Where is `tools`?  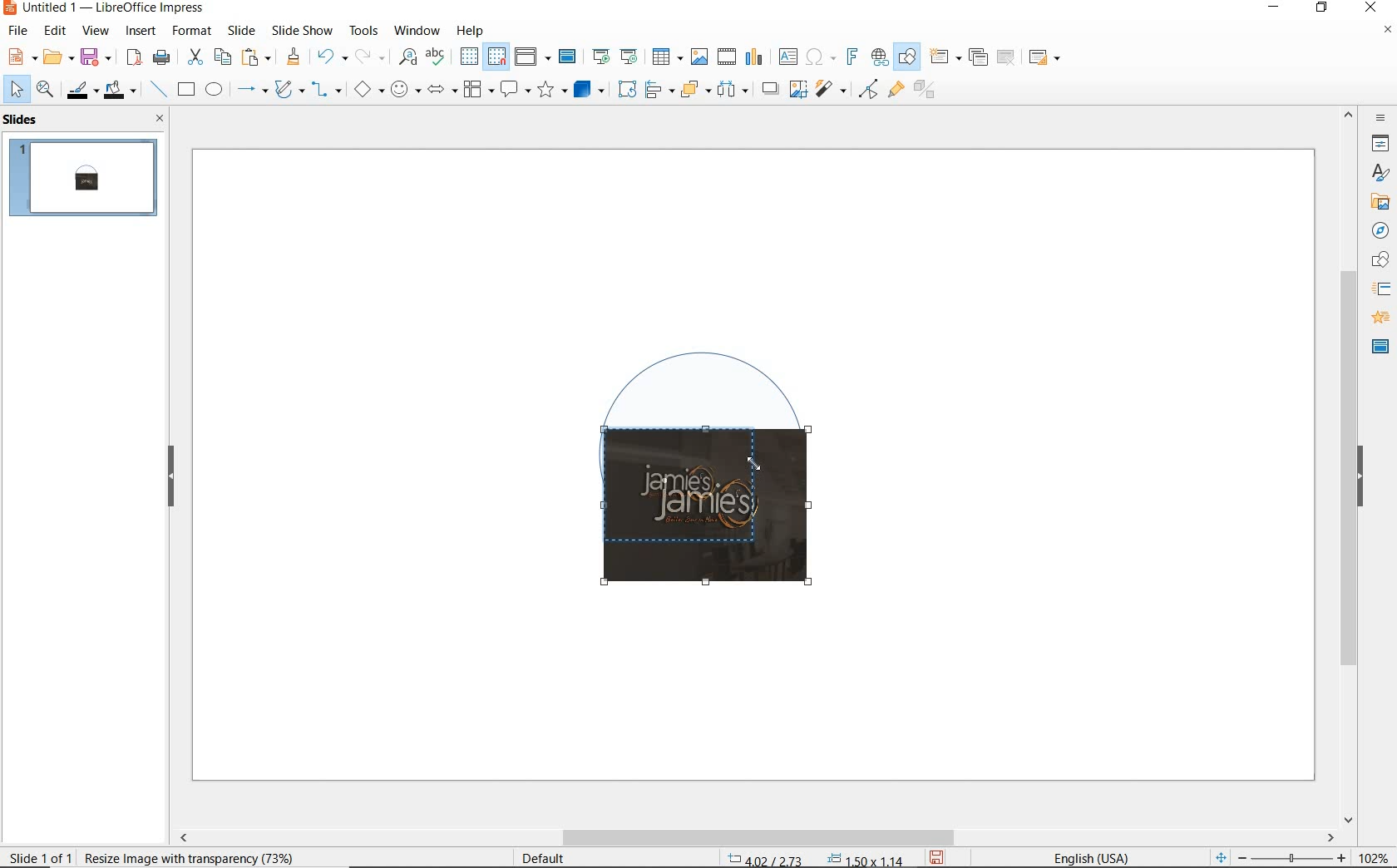 tools is located at coordinates (363, 30).